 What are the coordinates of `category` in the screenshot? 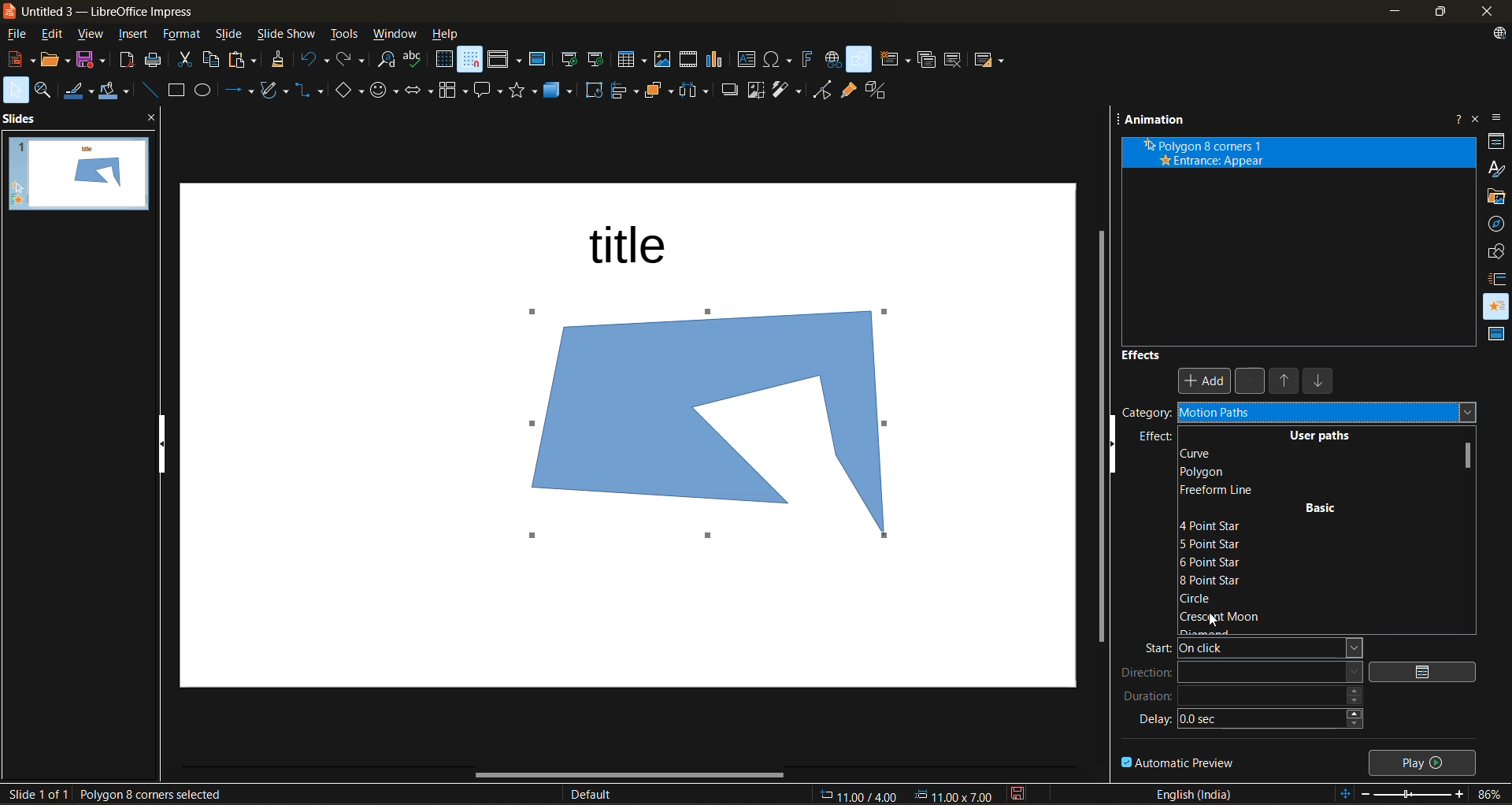 It's located at (1144, 417).